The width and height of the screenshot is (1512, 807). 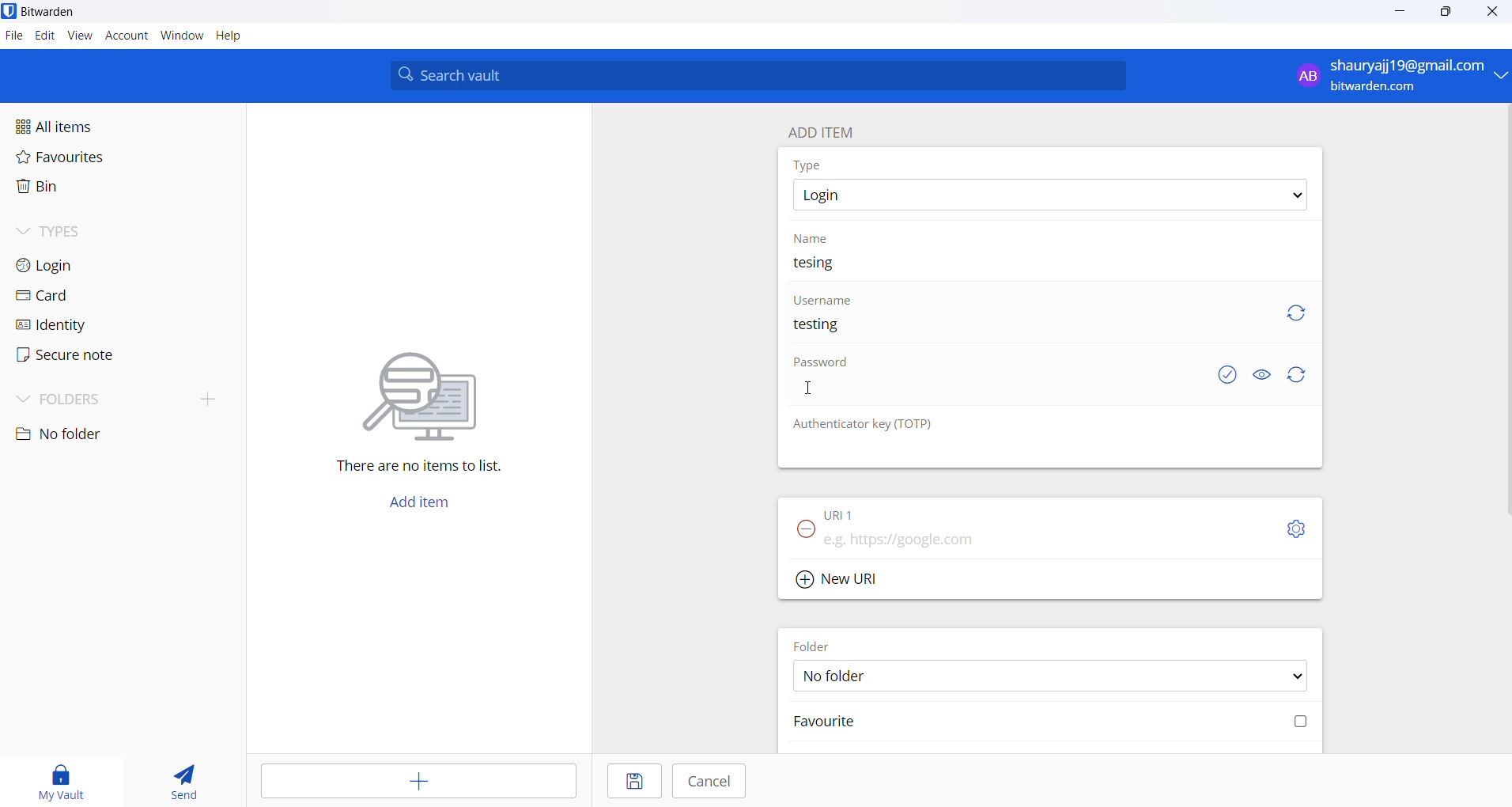 What do you see at coordinates (1045, 535) in the screenshot?
I see `URL input box` at bounding box center [1045, 535].